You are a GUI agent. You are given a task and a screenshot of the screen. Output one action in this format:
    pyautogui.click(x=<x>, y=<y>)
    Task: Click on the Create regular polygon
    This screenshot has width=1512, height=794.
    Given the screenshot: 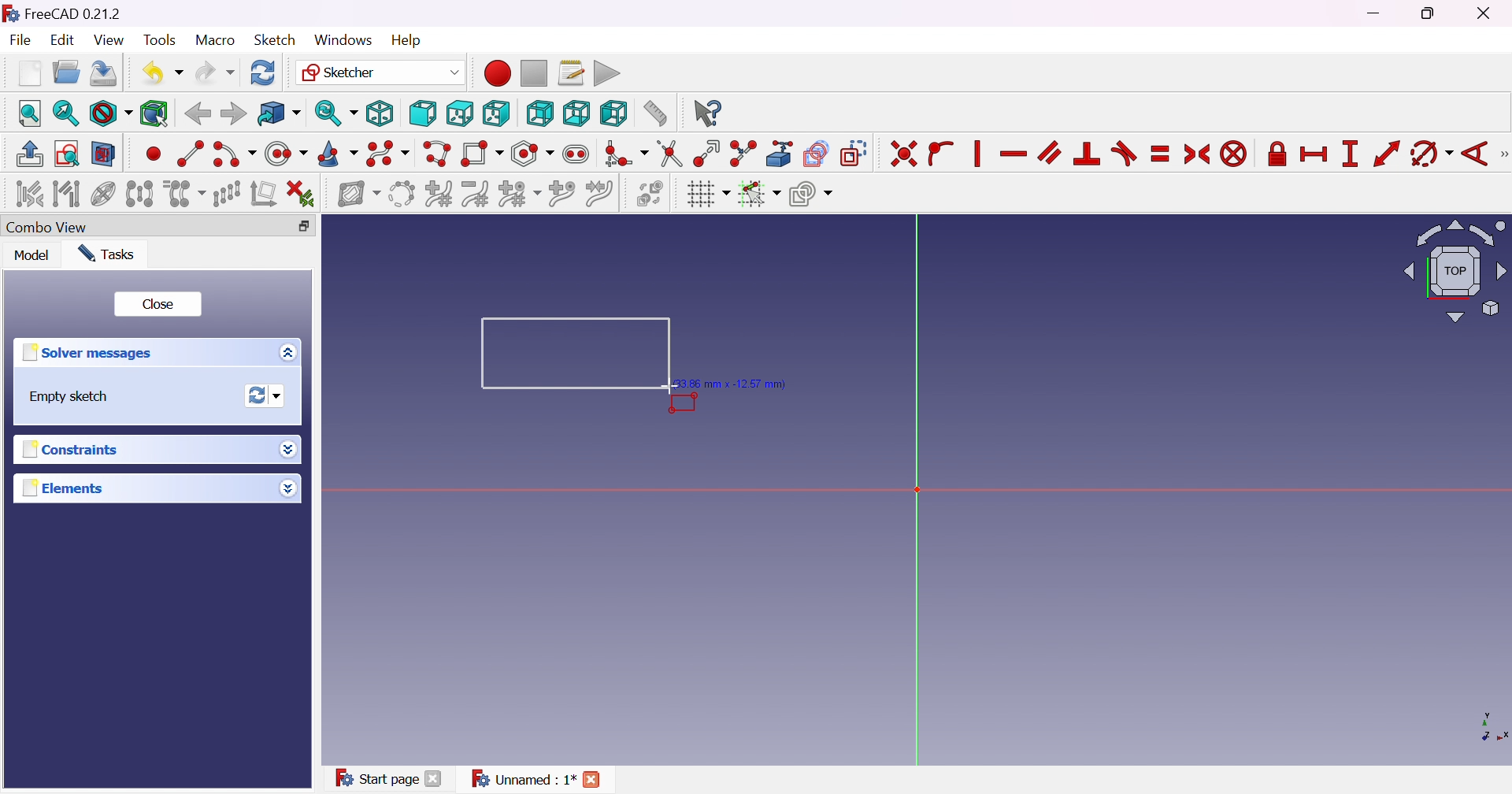 What is the action you would take?
    pyautogui.click(x=533, y=154)
    